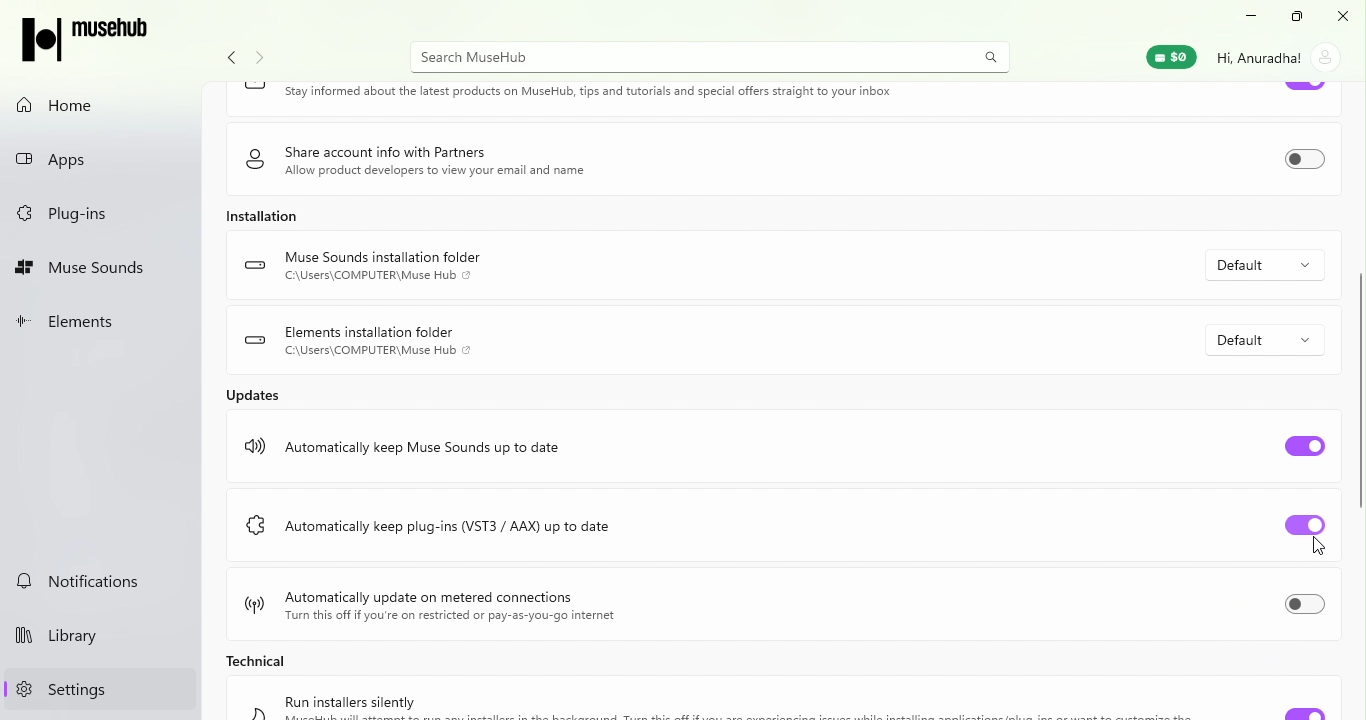 This screenshot has width=1366, height=720. What do you see at coordinates (259, 59) in the screenshot?
I see `navigate forward` at bounding box center [259, 59].